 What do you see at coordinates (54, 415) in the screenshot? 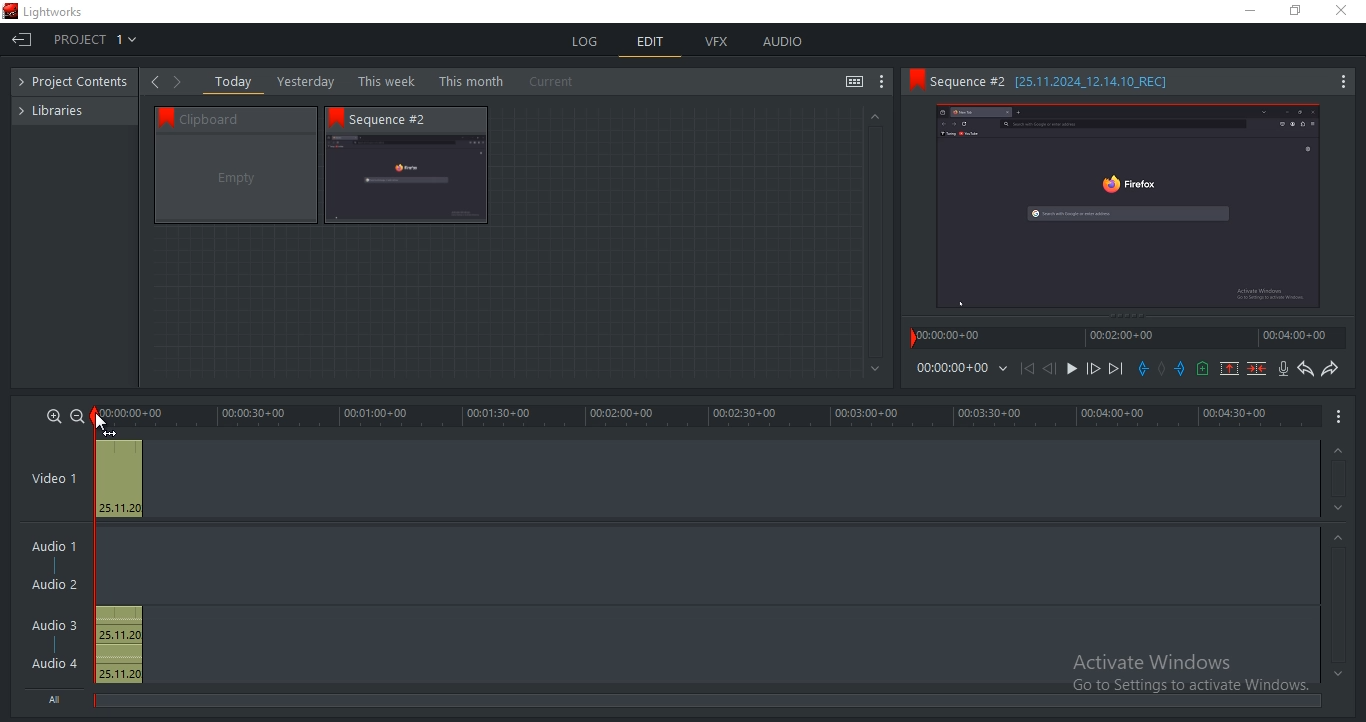
I see `zoom in` at bounding box center [54, 415].